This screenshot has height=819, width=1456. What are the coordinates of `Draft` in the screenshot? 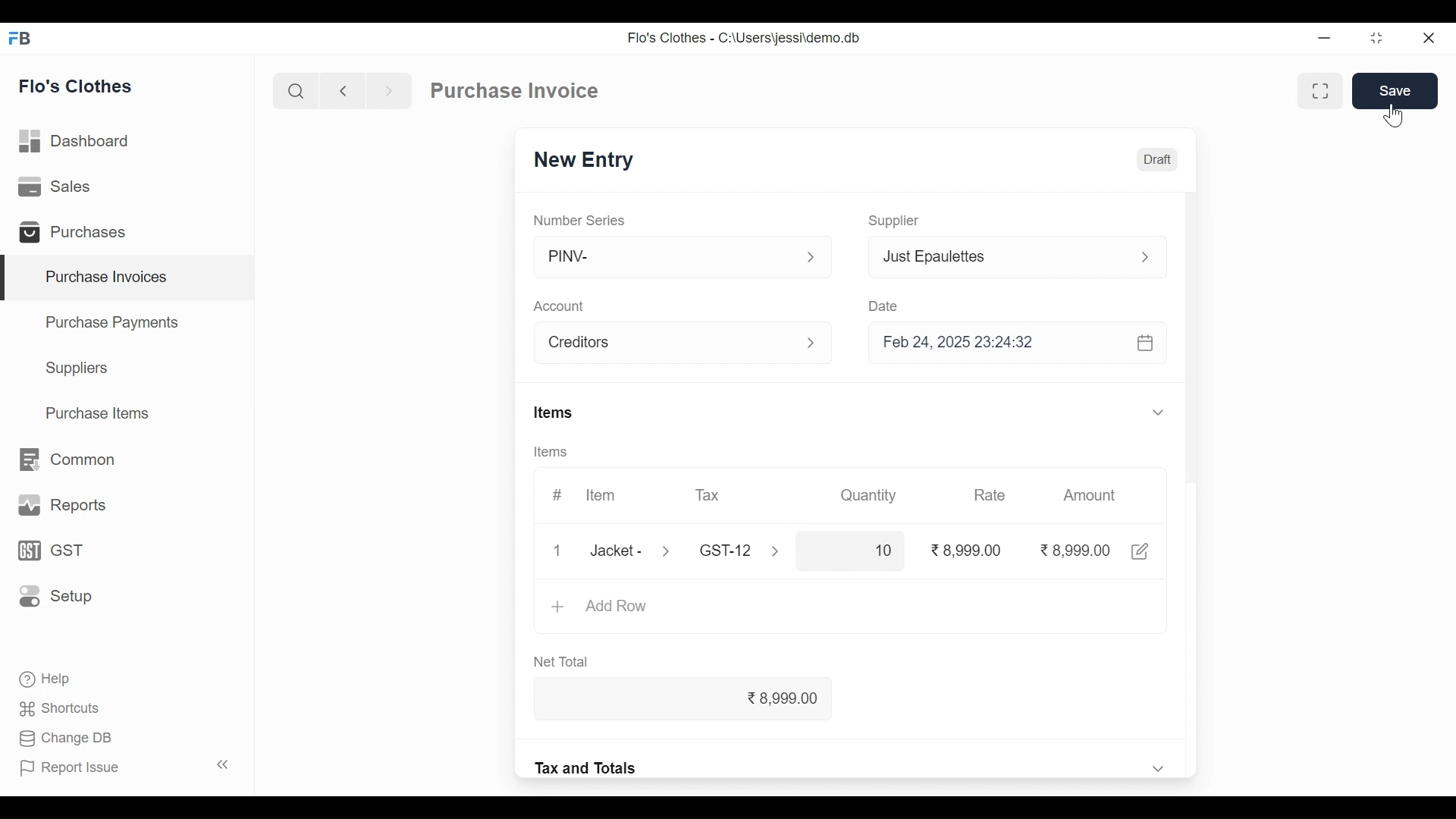 It's located at (1157, 158).